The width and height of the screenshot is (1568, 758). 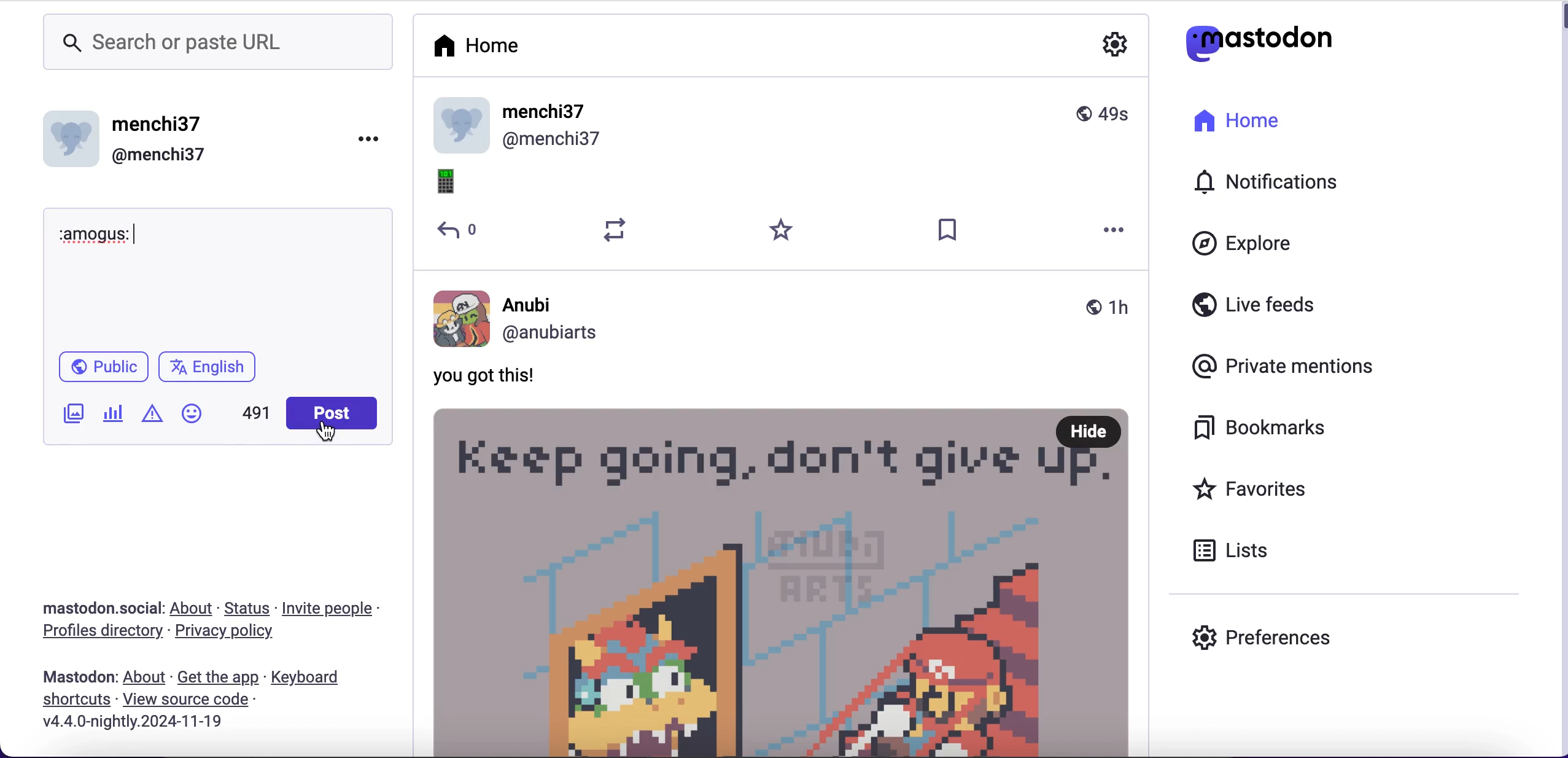 What do you see at coordinates (113, 416) in the screenshot?
I see `add poll` at bounding box center [113, 416].